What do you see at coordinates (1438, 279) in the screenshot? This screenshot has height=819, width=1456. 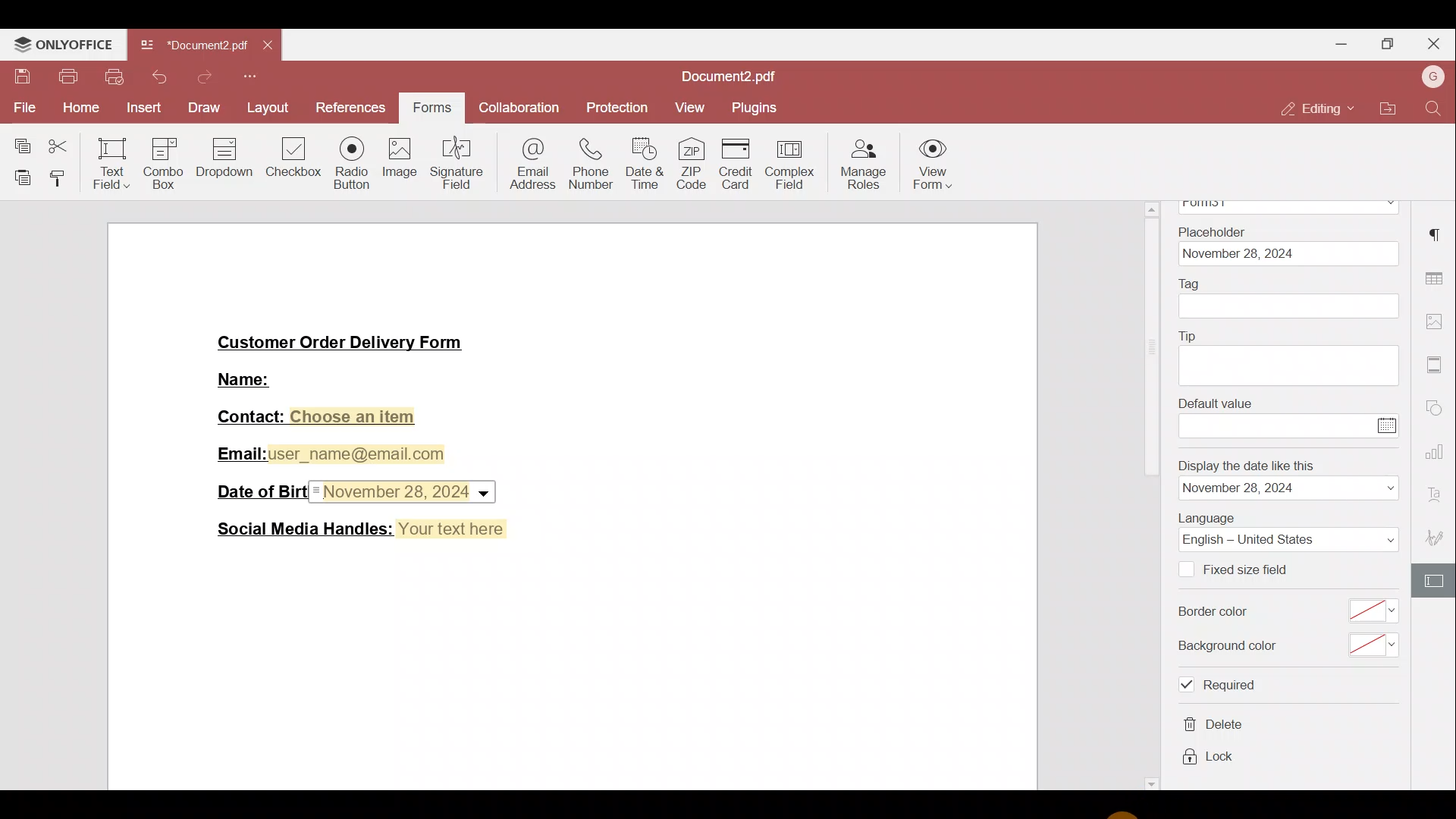 I see `Table settings` at bounding box center [1438, 279].